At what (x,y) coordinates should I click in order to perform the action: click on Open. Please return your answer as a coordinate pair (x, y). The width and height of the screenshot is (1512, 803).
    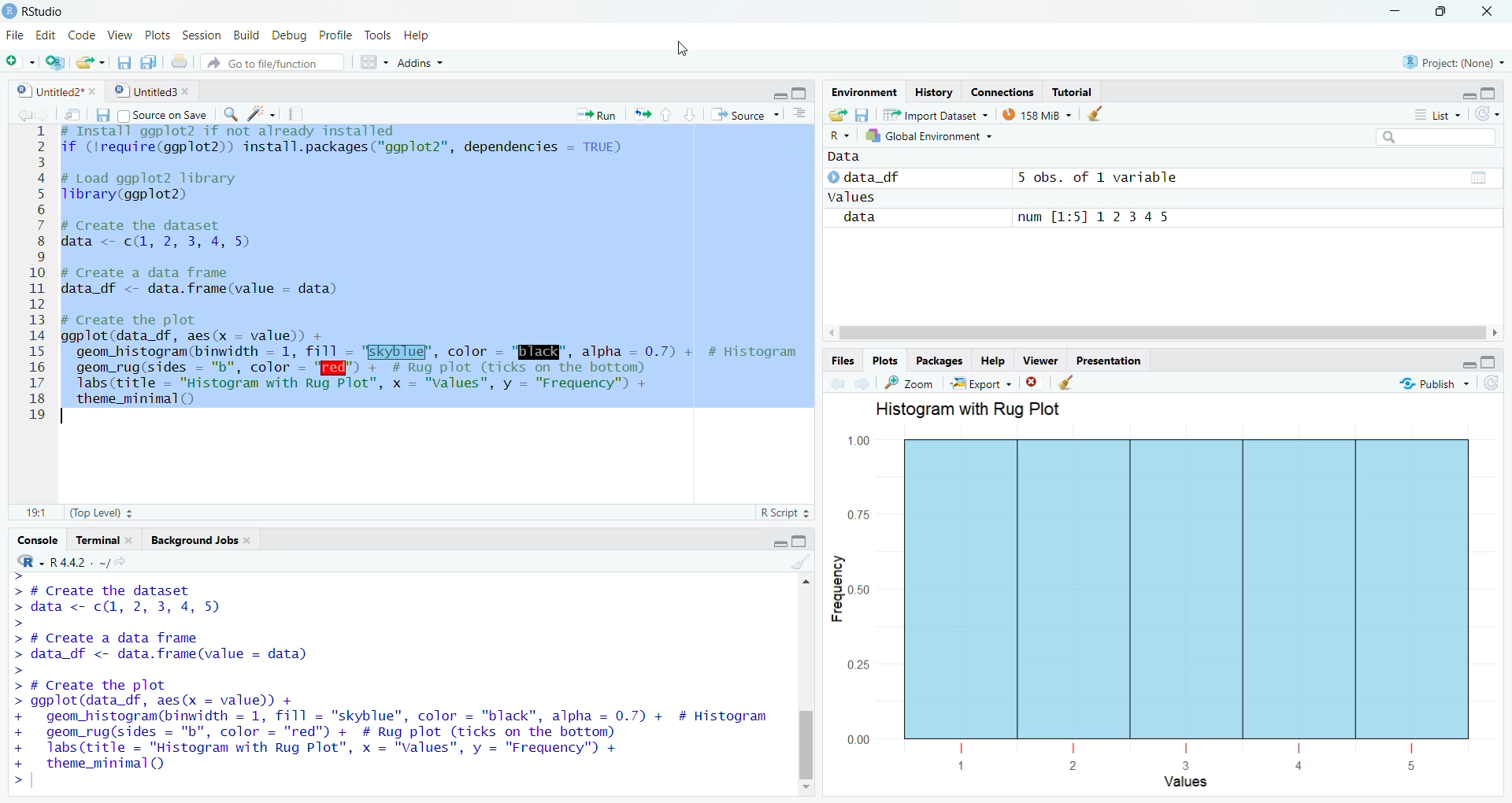
    Looking at the image, I should click on (836, 114).